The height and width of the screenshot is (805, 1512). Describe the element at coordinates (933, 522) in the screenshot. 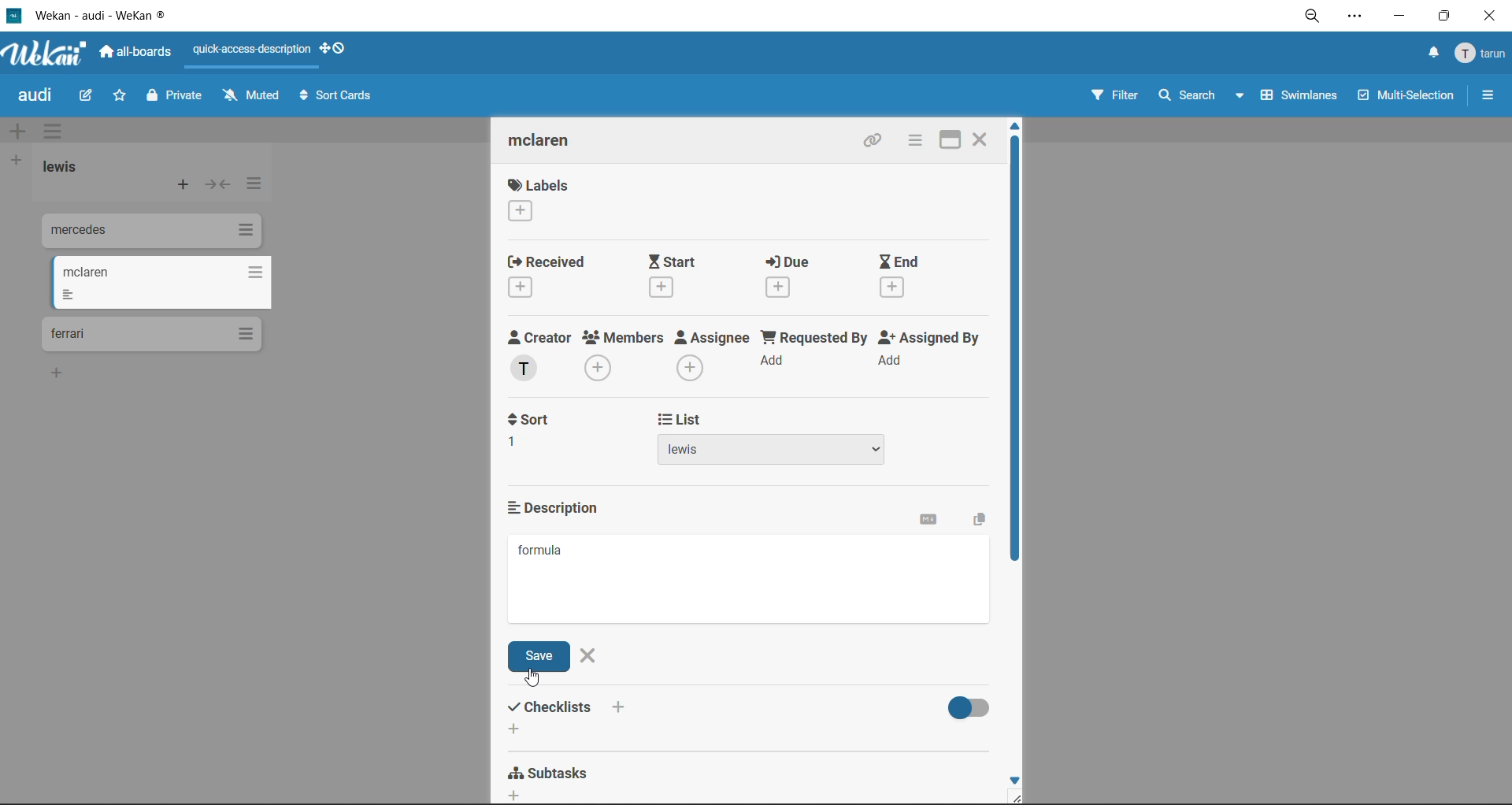

I see `markdown` at that location.